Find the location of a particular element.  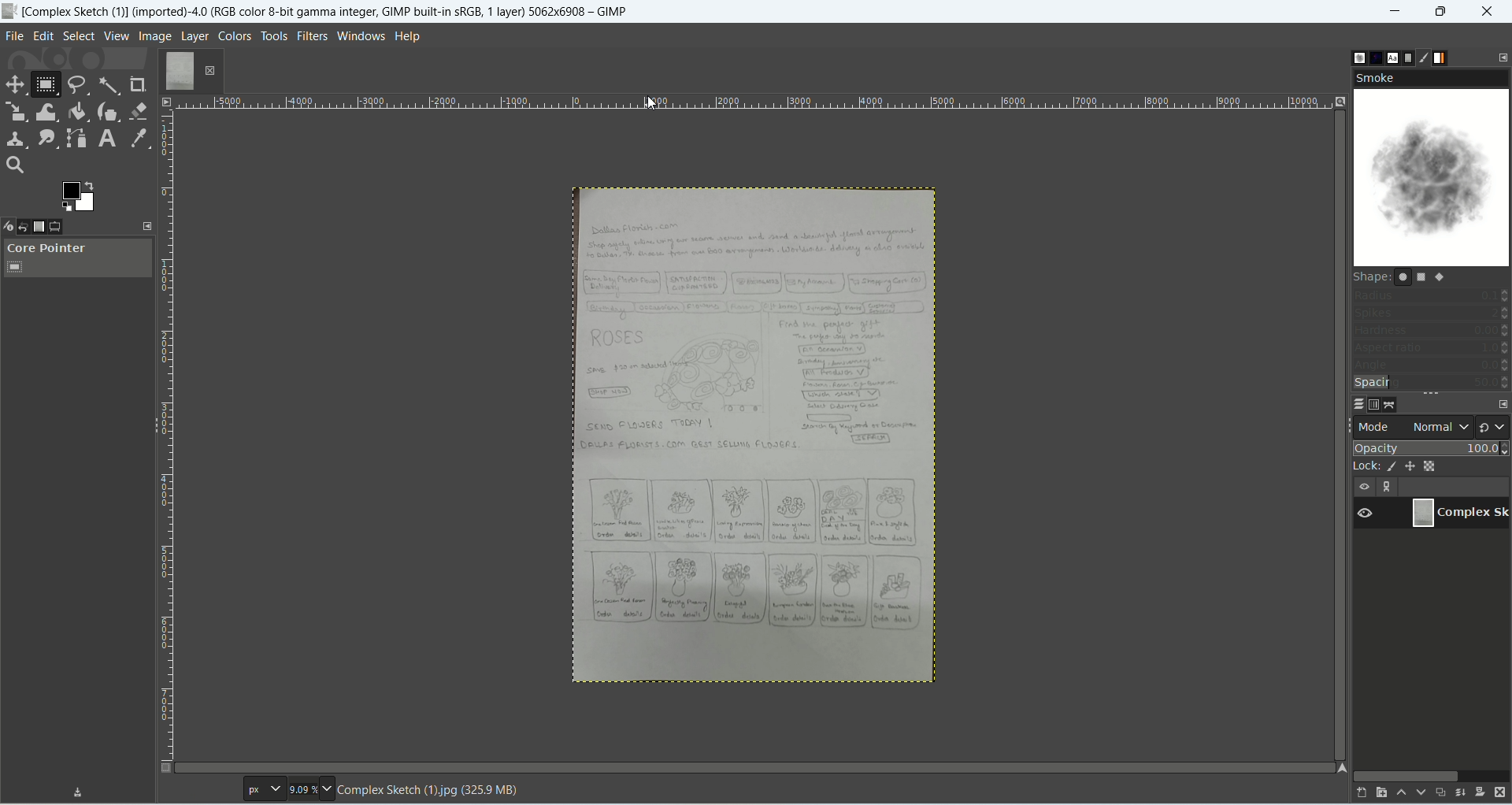

image is located at coordinates (754, 436).